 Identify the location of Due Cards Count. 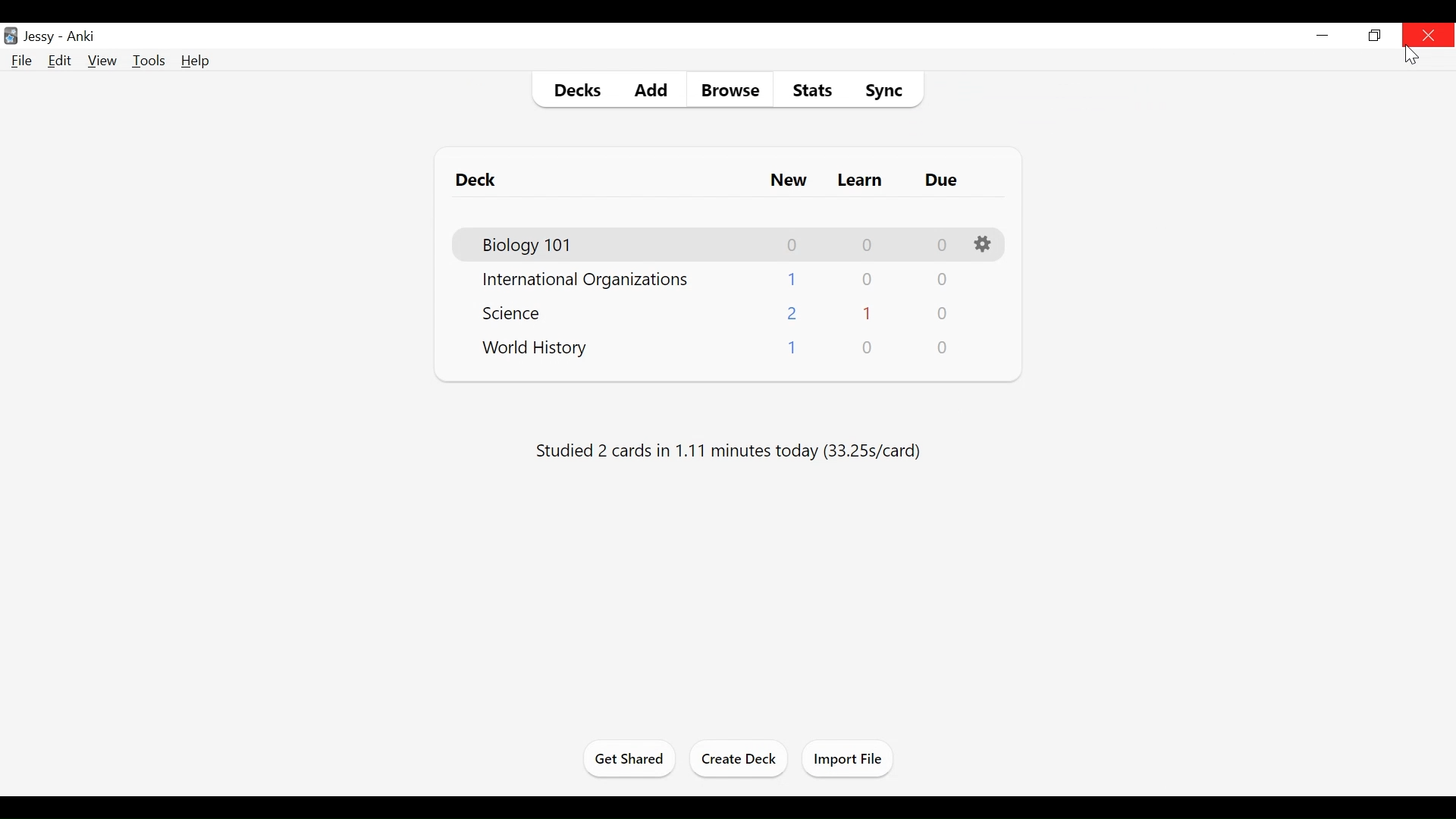
(943, 245).